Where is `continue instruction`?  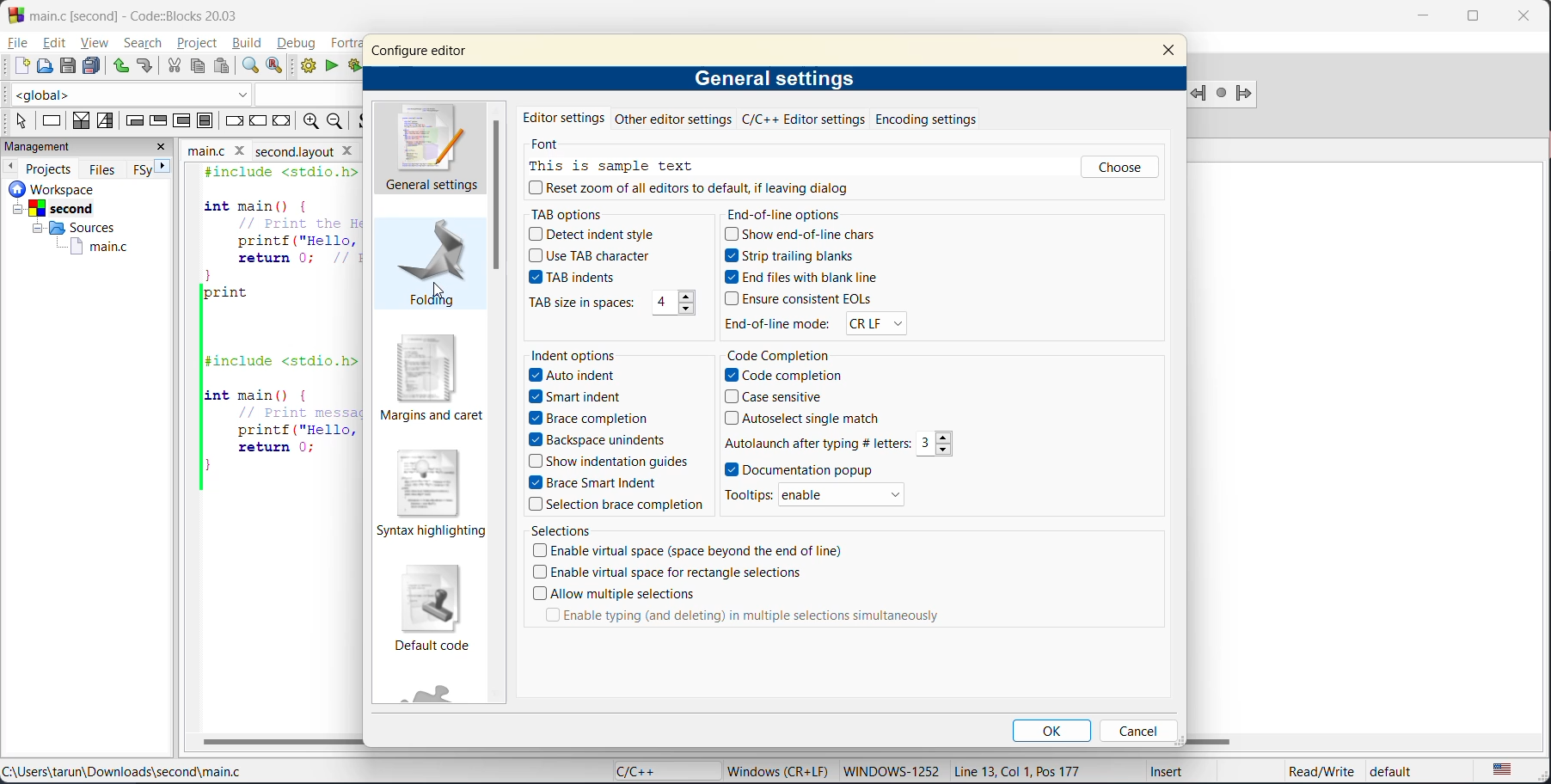 continue instruction is located at coordinates (259, 122).